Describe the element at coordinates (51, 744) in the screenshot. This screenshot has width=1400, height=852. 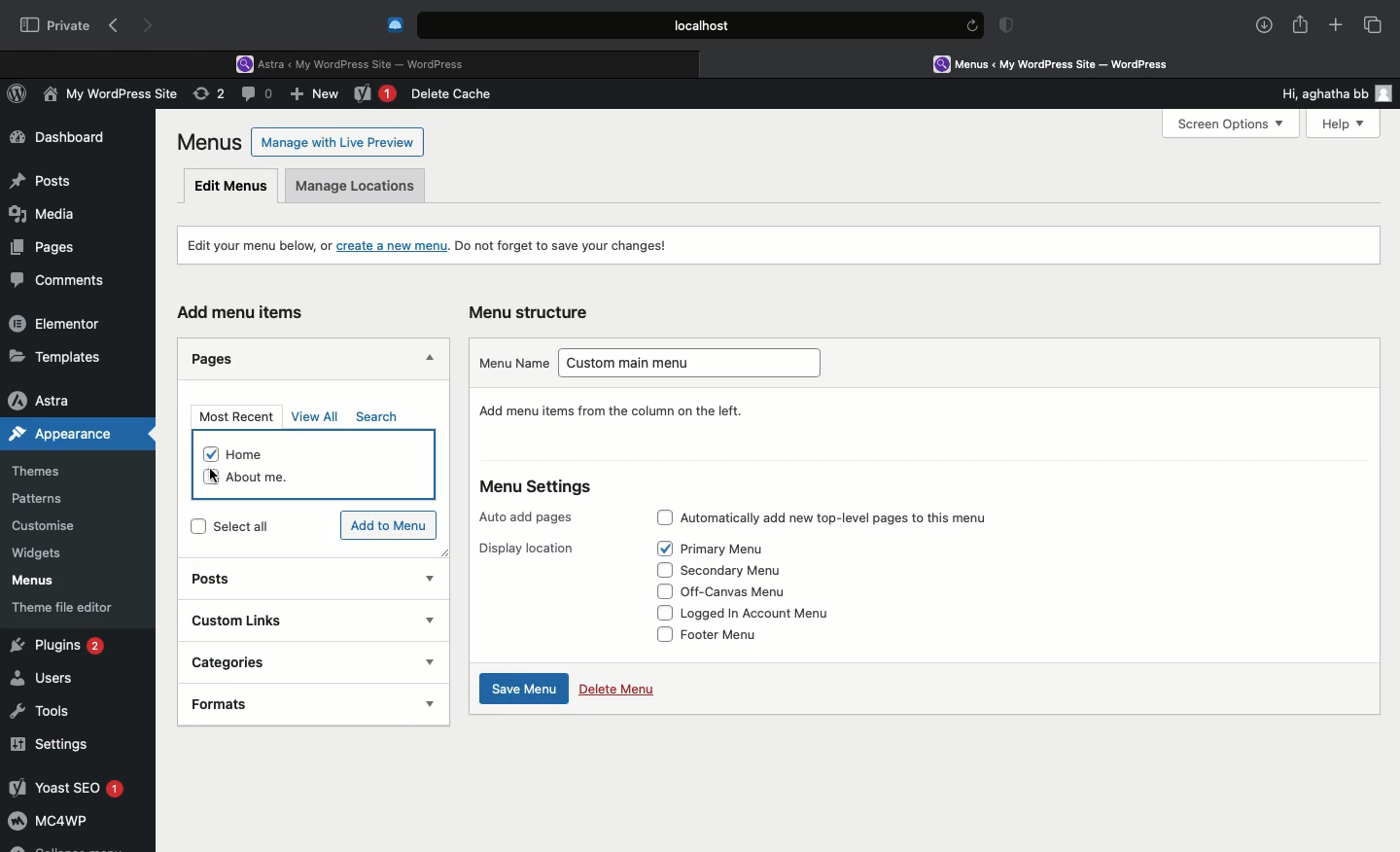
I see `Settings` at that location.